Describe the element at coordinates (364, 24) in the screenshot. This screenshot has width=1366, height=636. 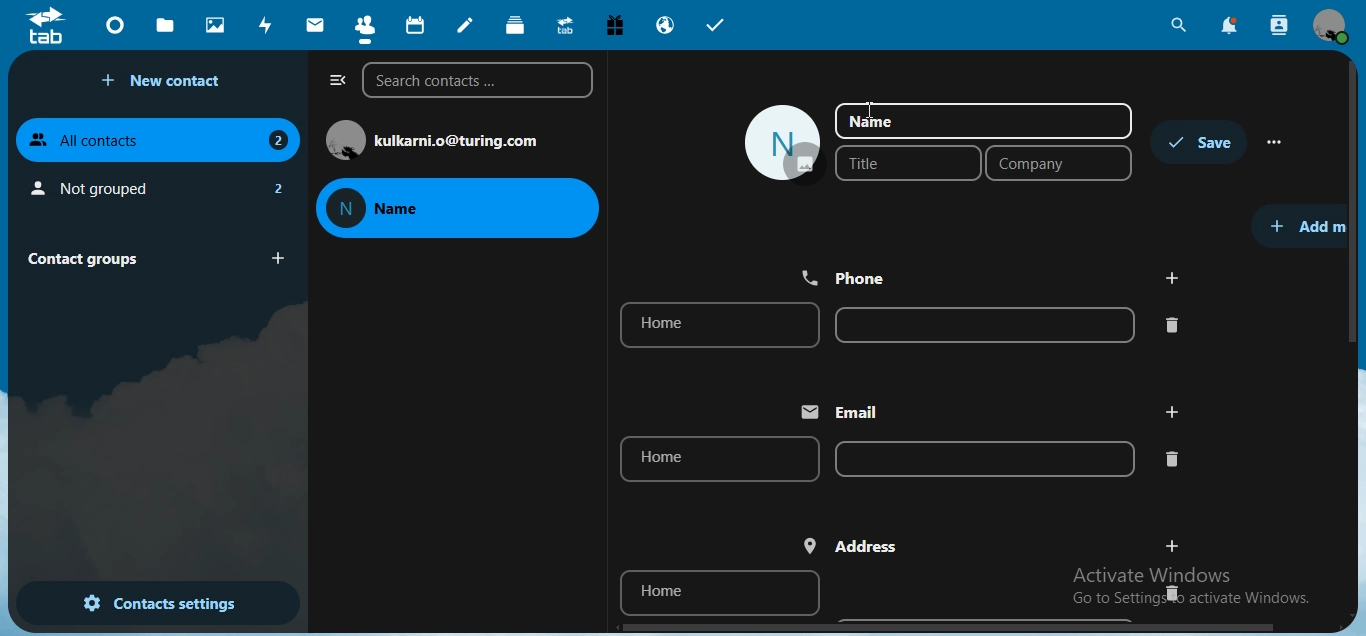
I see `contact` at that location.